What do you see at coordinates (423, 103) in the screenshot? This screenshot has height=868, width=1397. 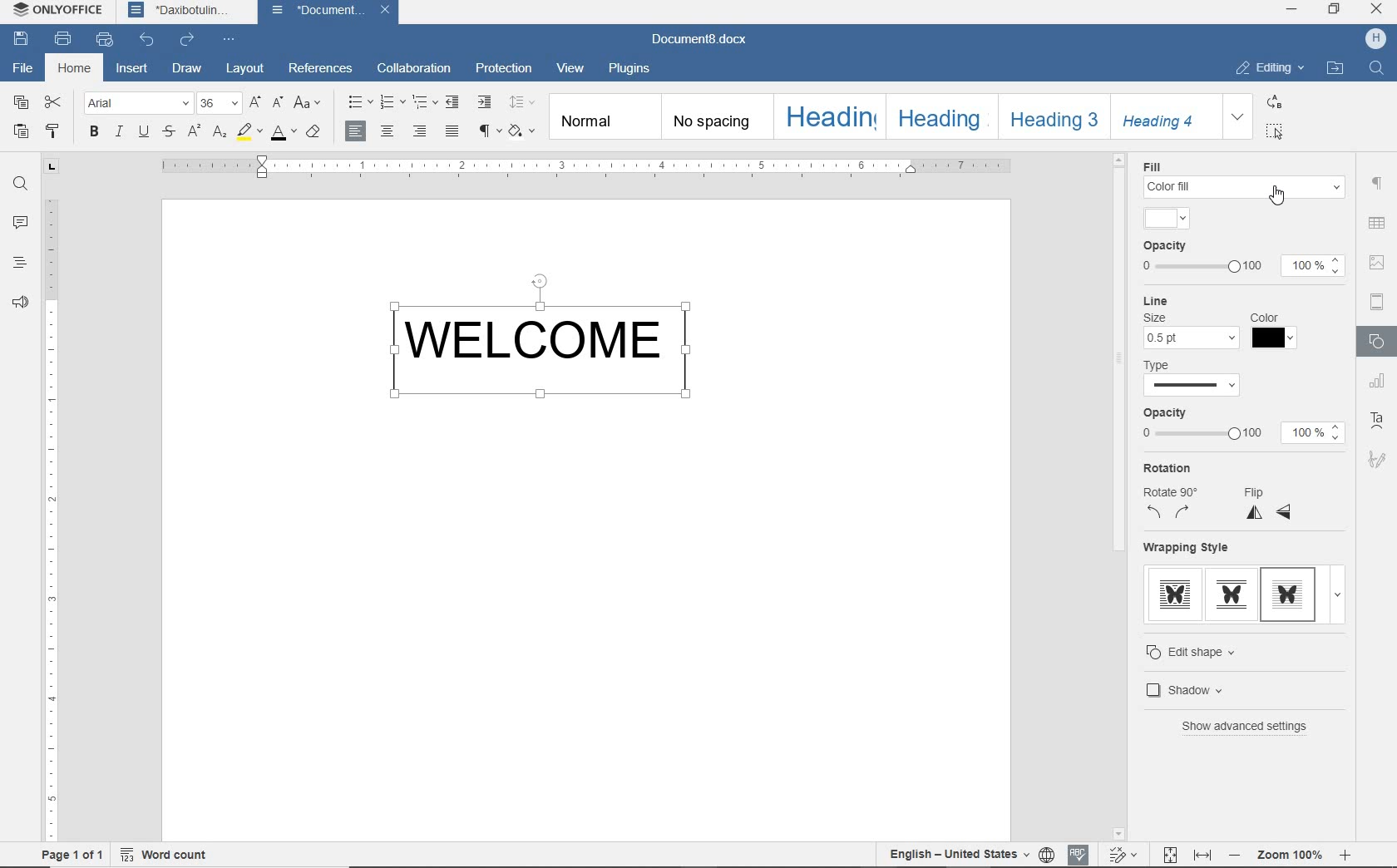 I see `MULTILEVEL LIST` at bounding box center [423, 103].